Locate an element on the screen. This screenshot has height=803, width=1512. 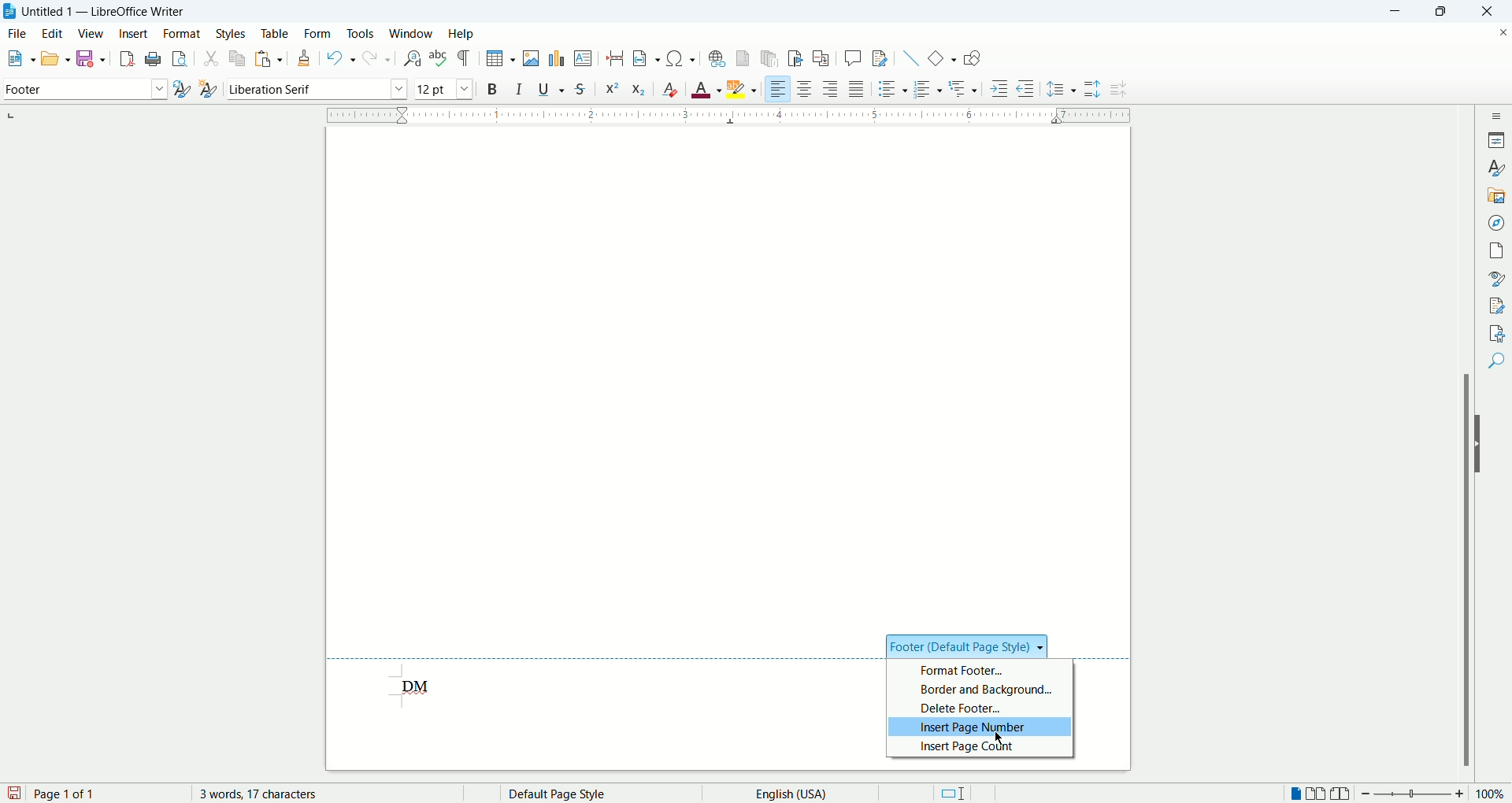
increase paragraph spacing is located at coordinates (1092, 90).